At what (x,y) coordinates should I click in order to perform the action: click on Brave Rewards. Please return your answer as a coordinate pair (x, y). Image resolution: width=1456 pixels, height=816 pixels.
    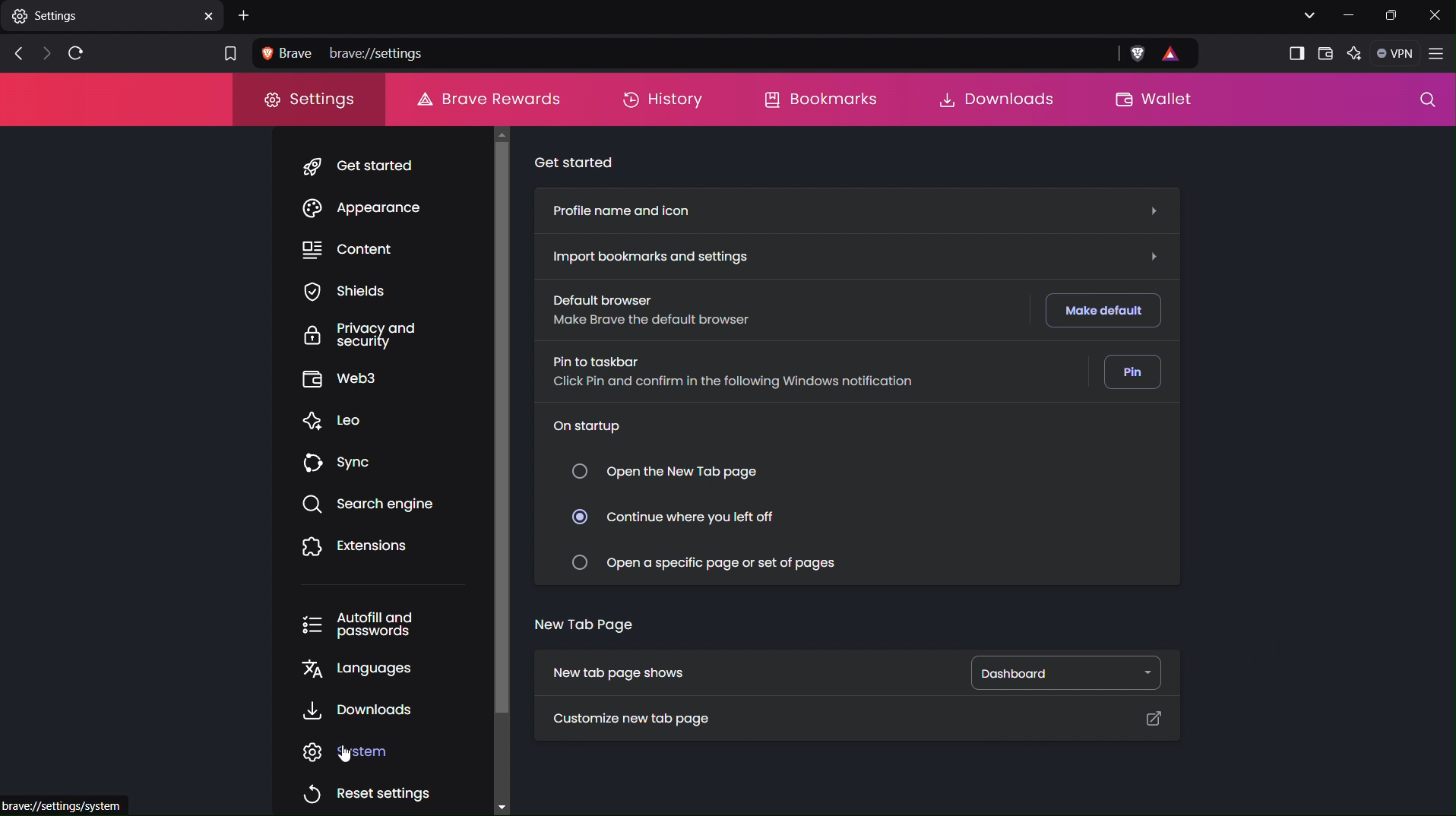
    Looking at the image, I should click on (487, 97).